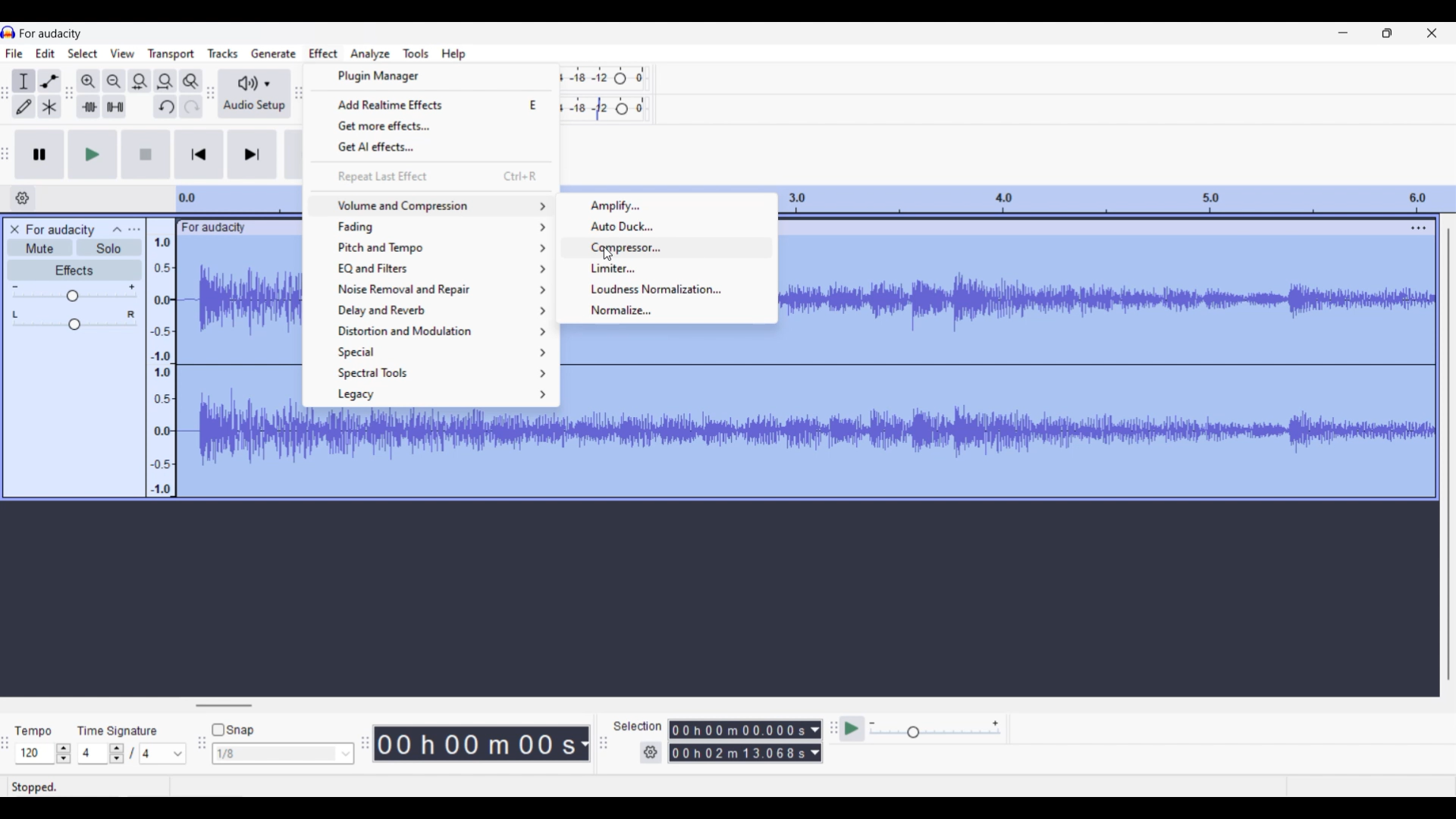 The height and width of the screenshot is (819, 1456). What do you see at coordinates (284, 753) in the screenshot?
I see `Snap options` at bounding box center [284, 753].